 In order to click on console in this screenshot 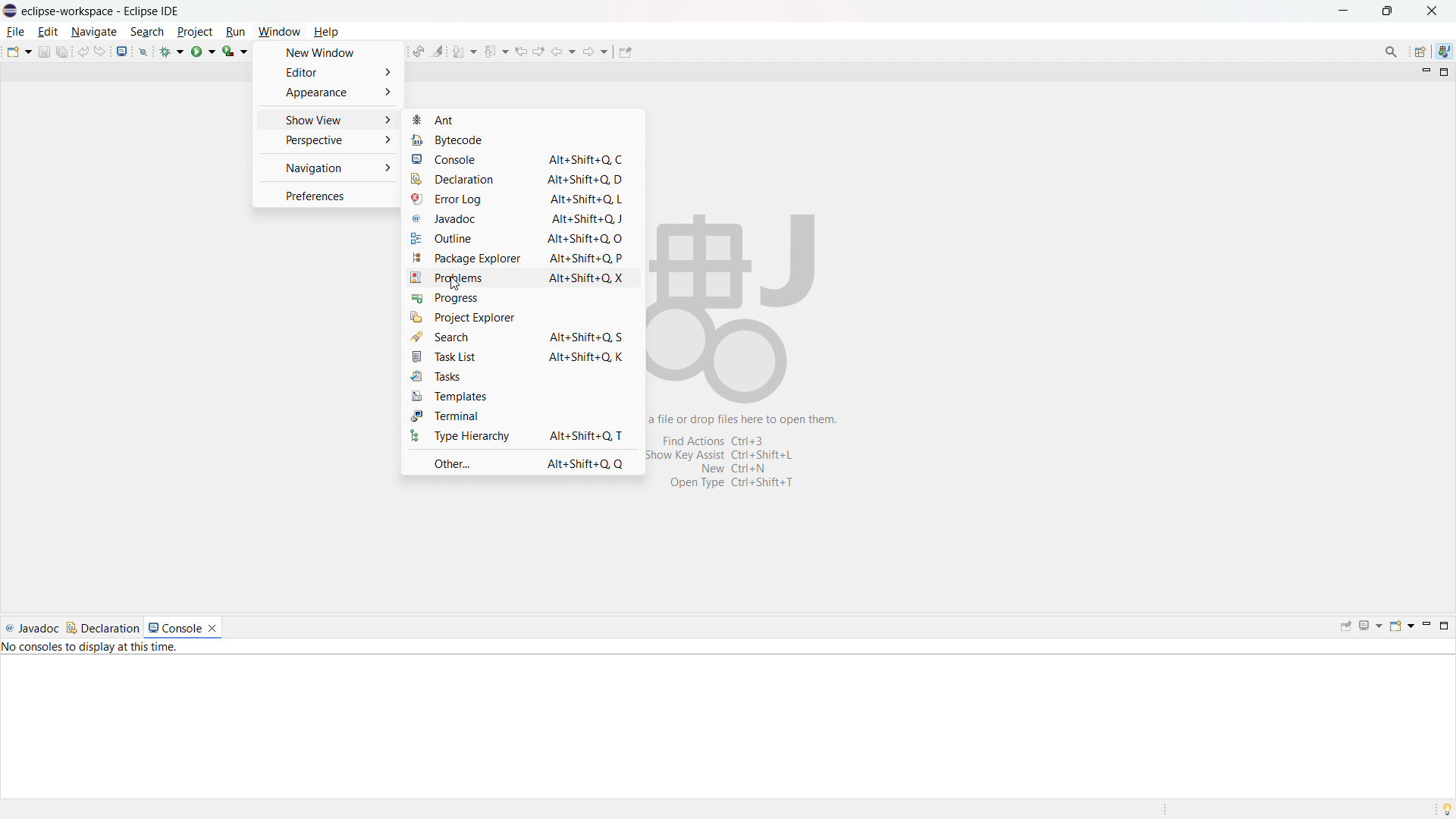, I will do `click(174, 627)`.